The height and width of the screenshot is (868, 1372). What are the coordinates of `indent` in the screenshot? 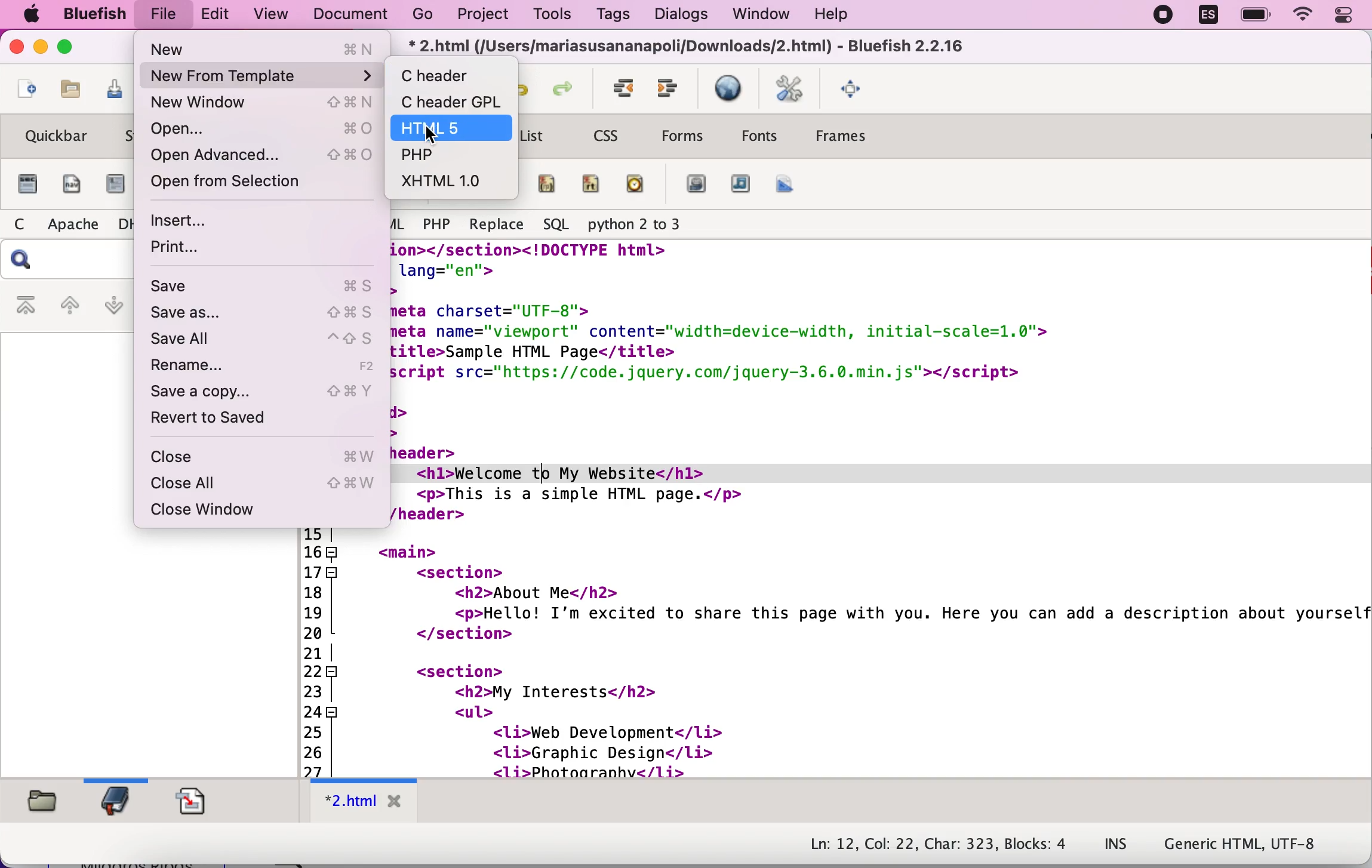 It's located at (619, 88).